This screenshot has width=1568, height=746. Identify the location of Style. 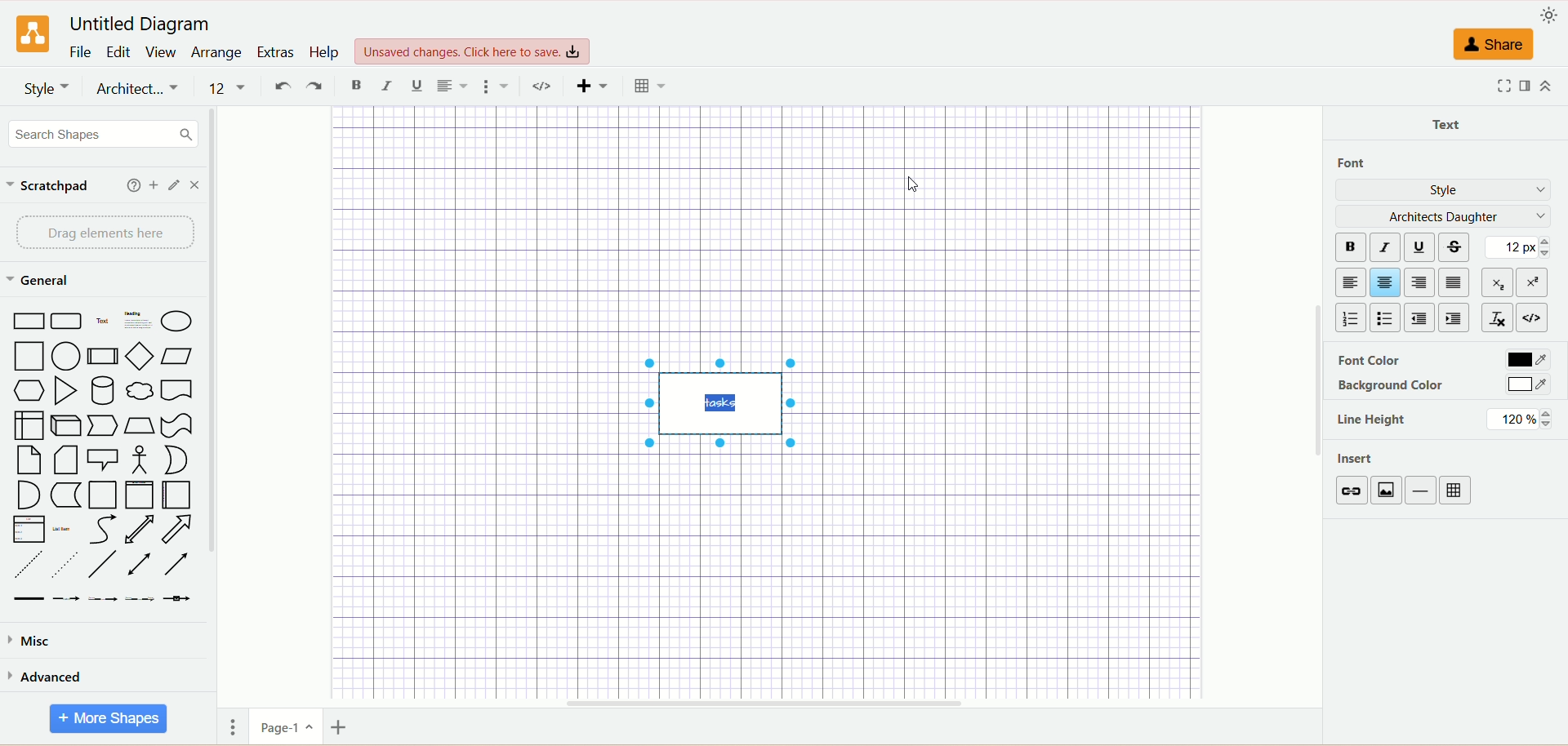
(46, 88).